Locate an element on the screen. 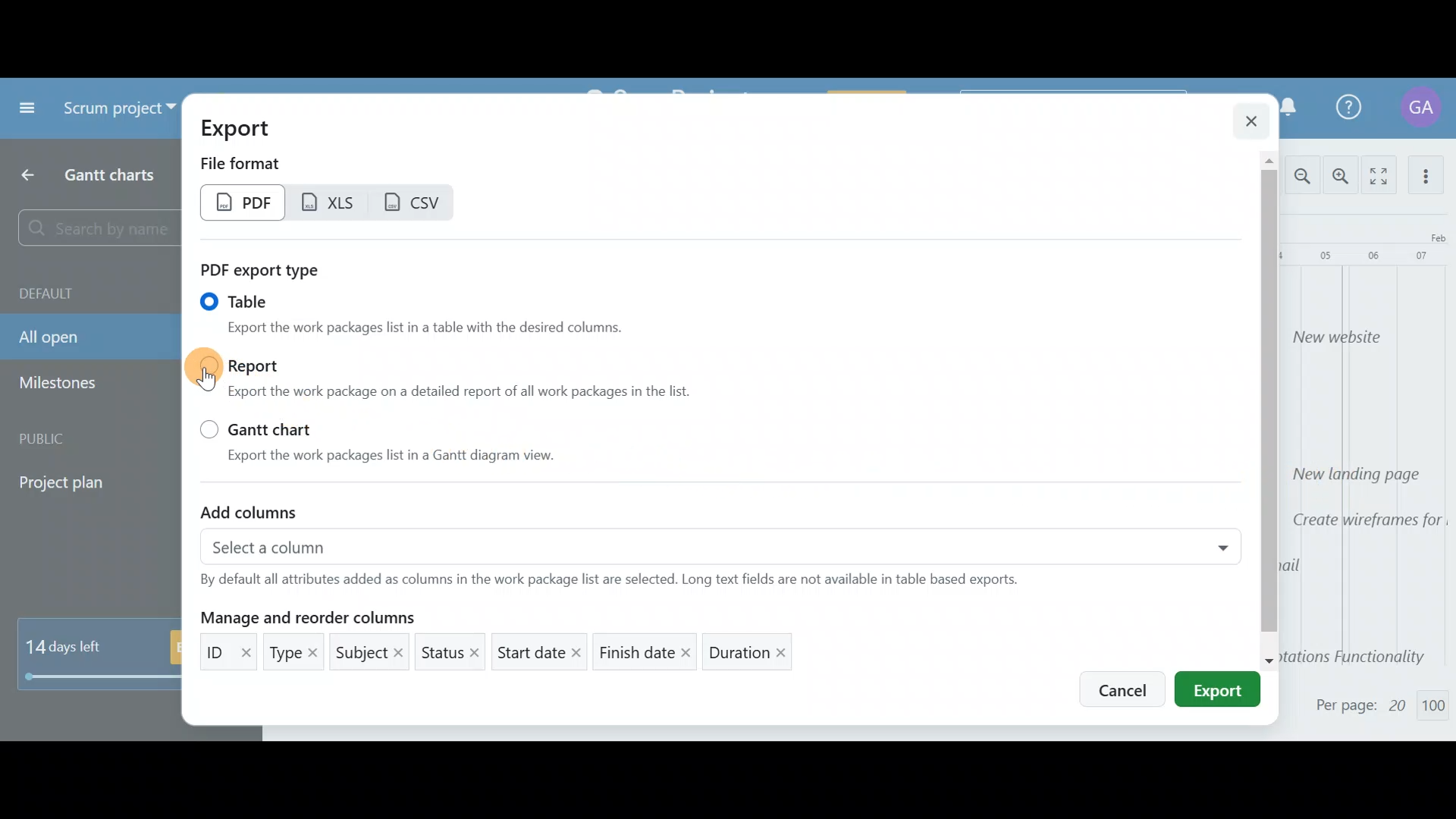  Search by name is located at coordinates (97, 226).